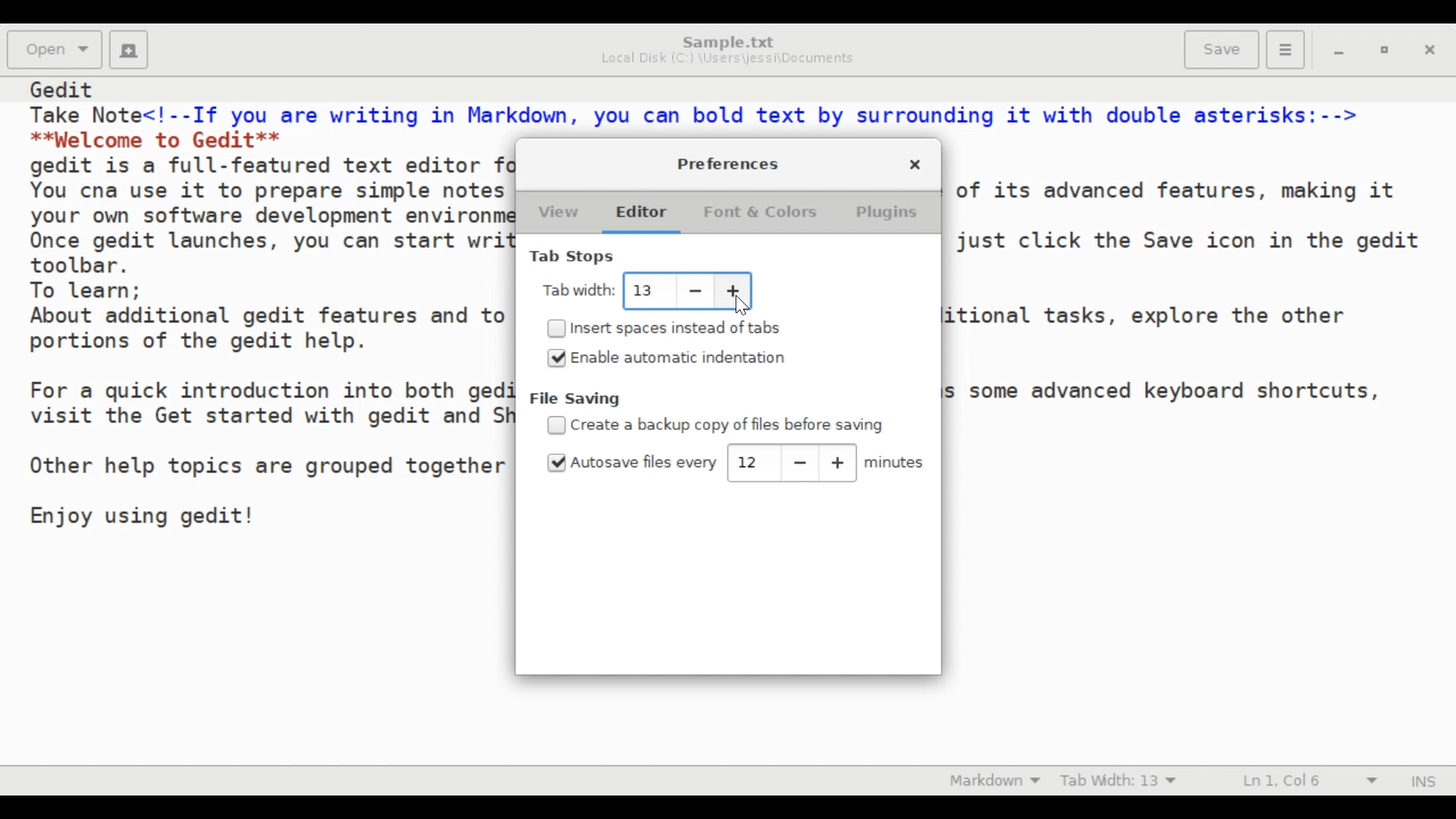  Describe the element at coordinates (749, 461) in the screenshot. I see `Adjust autosave time: 12` at that location.